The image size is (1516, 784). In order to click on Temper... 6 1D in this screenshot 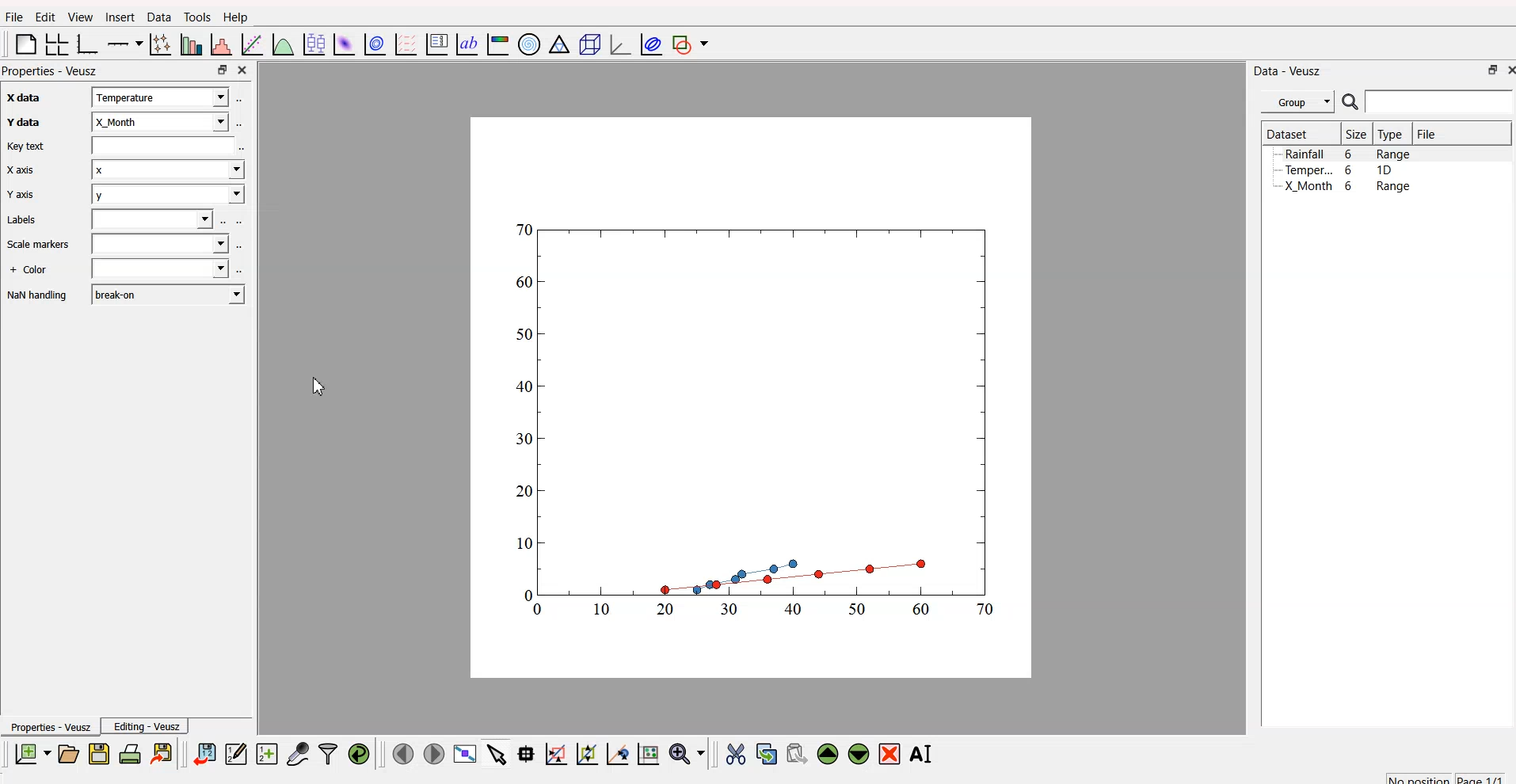, I will do `click(1338, 169)`.